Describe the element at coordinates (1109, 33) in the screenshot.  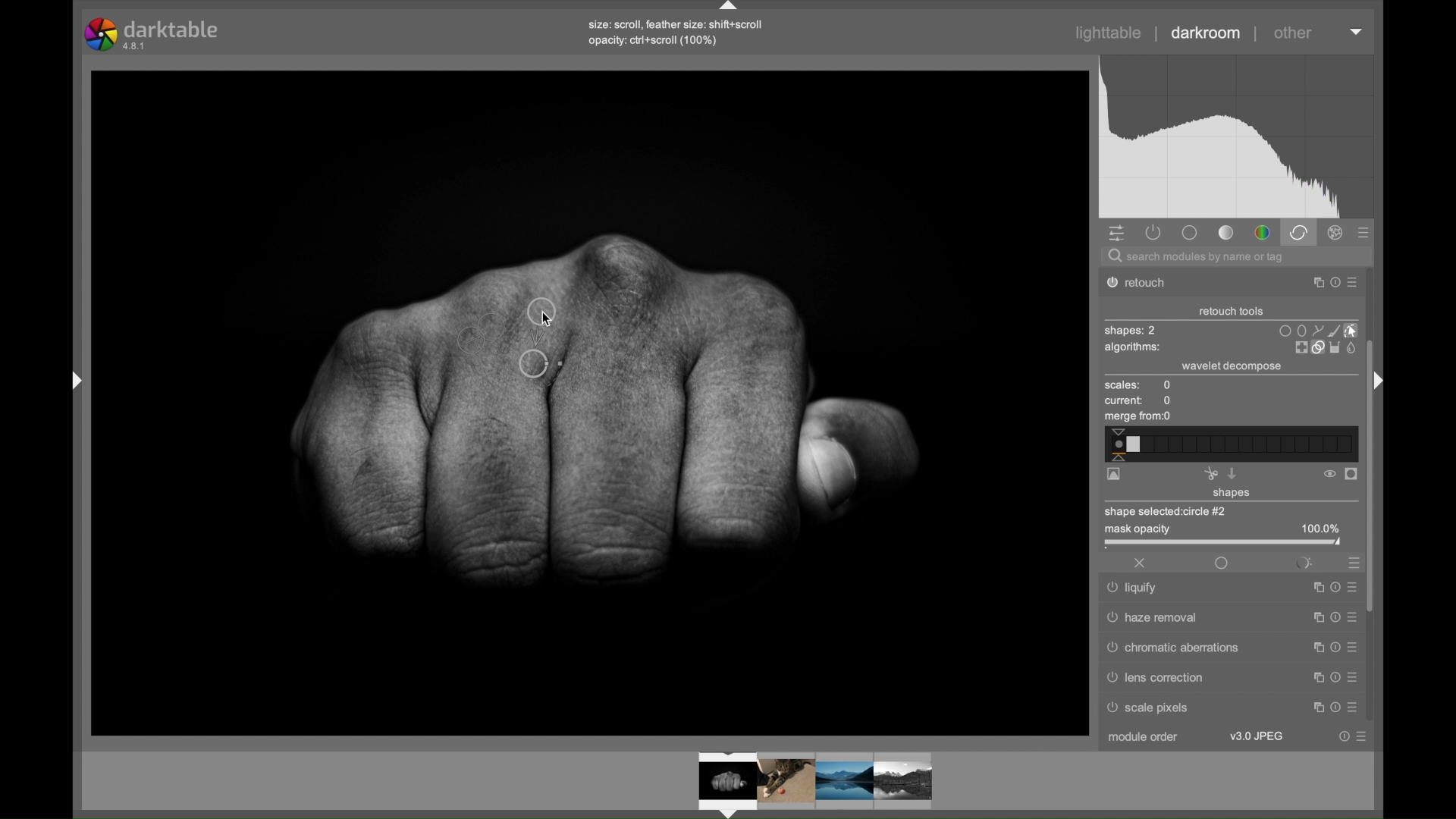
I see `lighttable` at that location.